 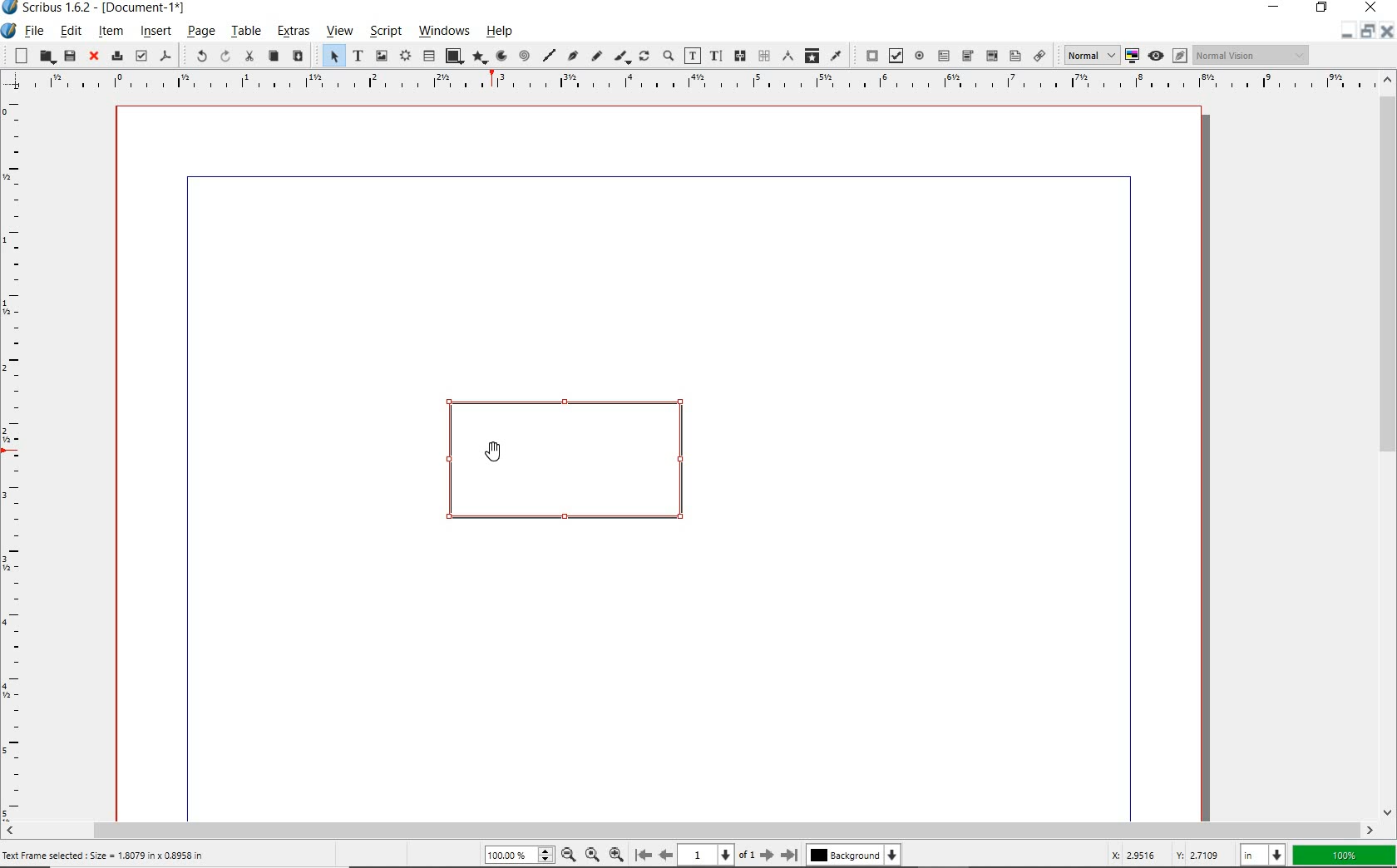 What do you see at coordinates (246, 32) in the screenshot?
I see `table` at bounding box center [246, 32].